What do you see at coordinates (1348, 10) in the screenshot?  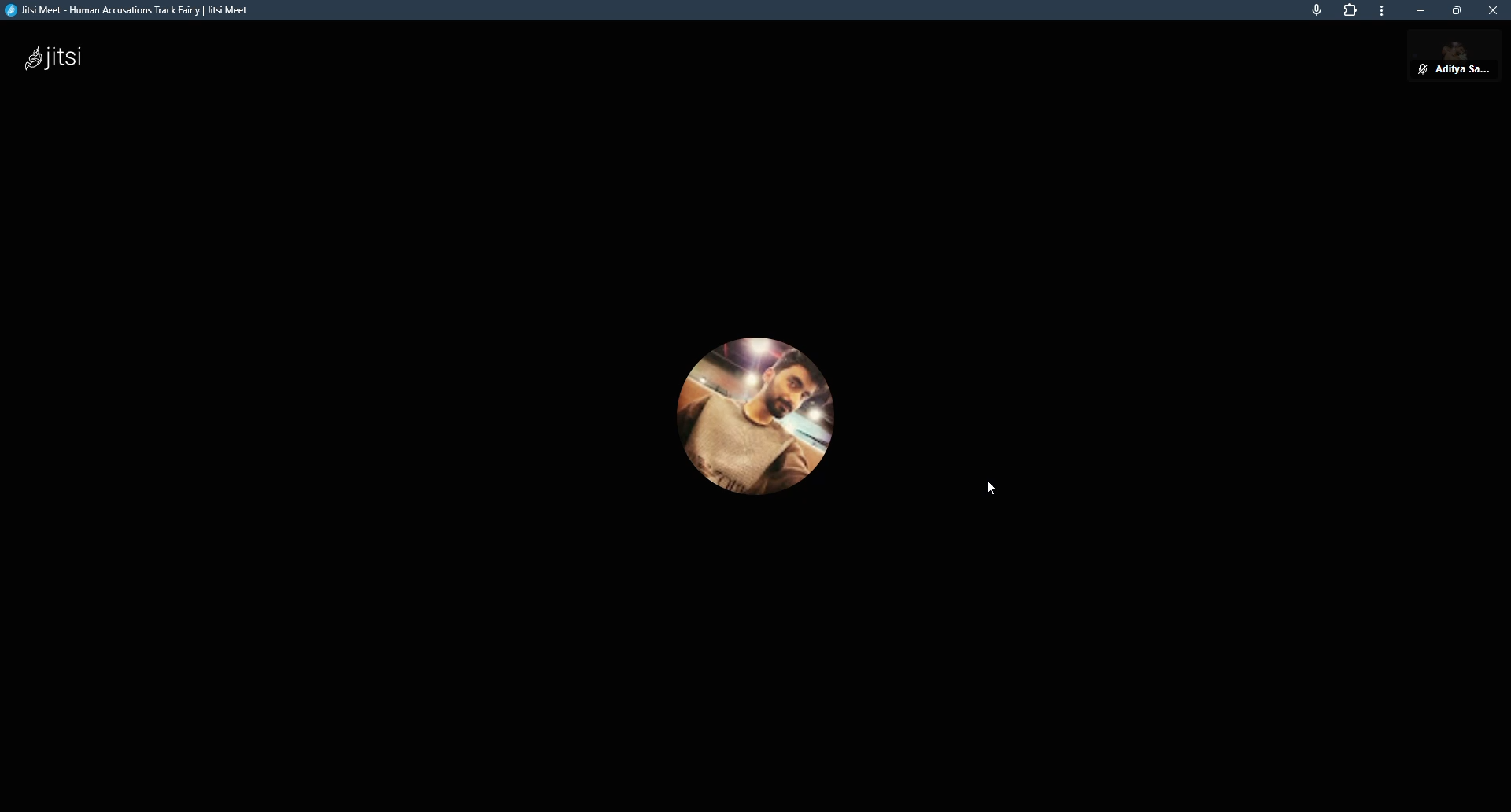 I see `extensions` at bounding box center [1348, 10].